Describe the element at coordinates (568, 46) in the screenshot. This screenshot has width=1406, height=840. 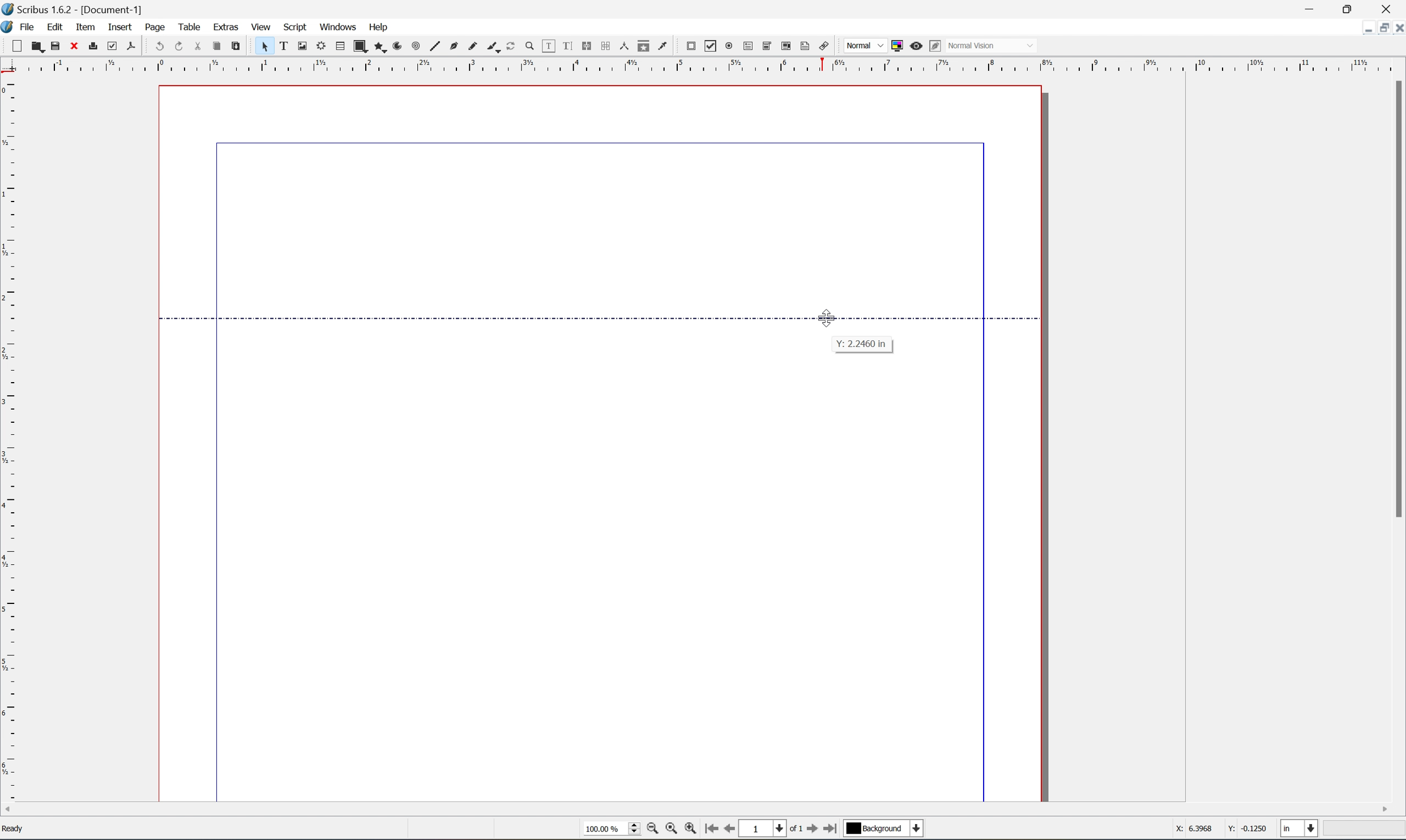
I see `edit text with story editor` at that location.